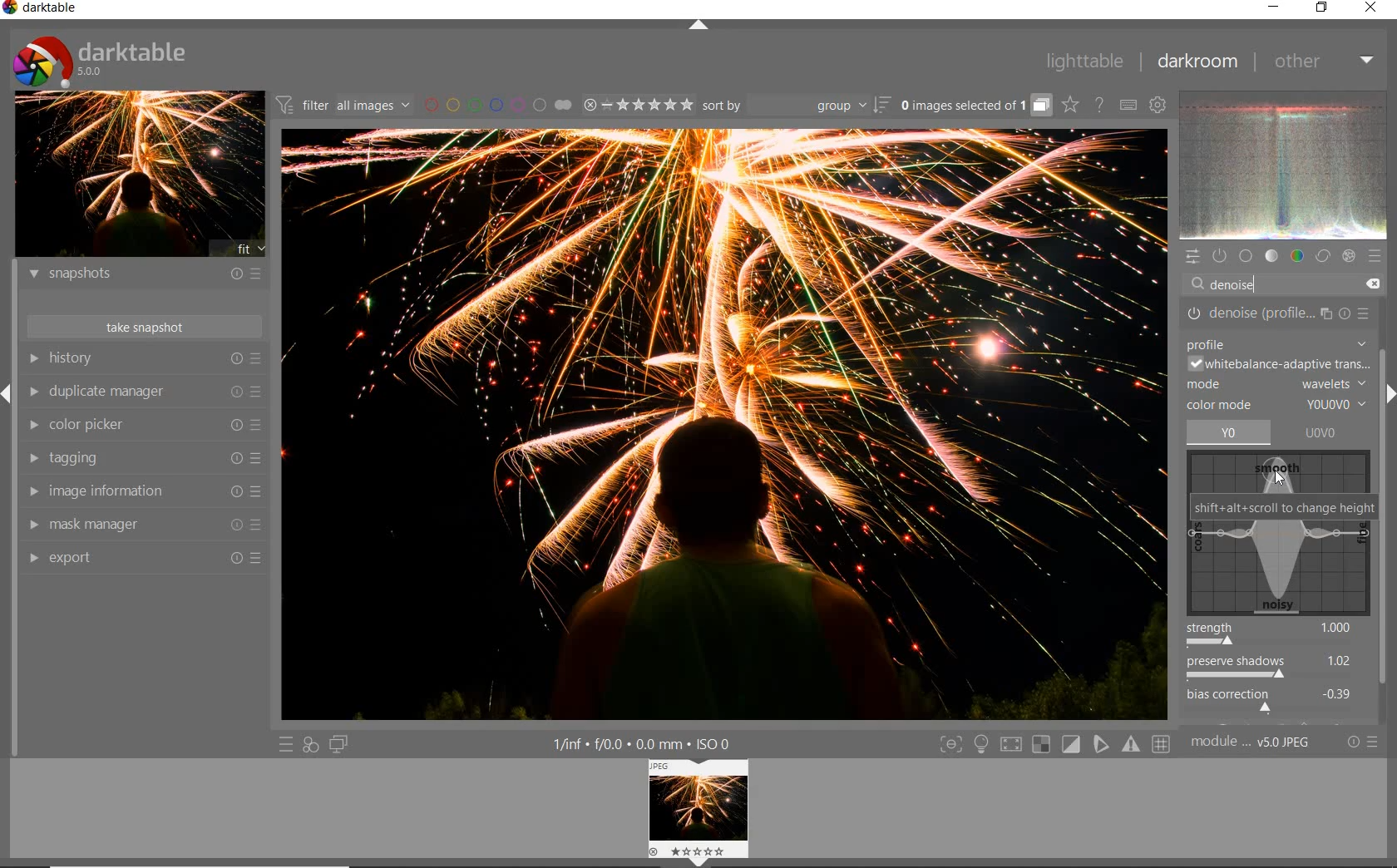 This screenshot has width=1397, height=868. Describe the element at coordinates (139, 175) in the screenshot. I see `image preview` at that location.